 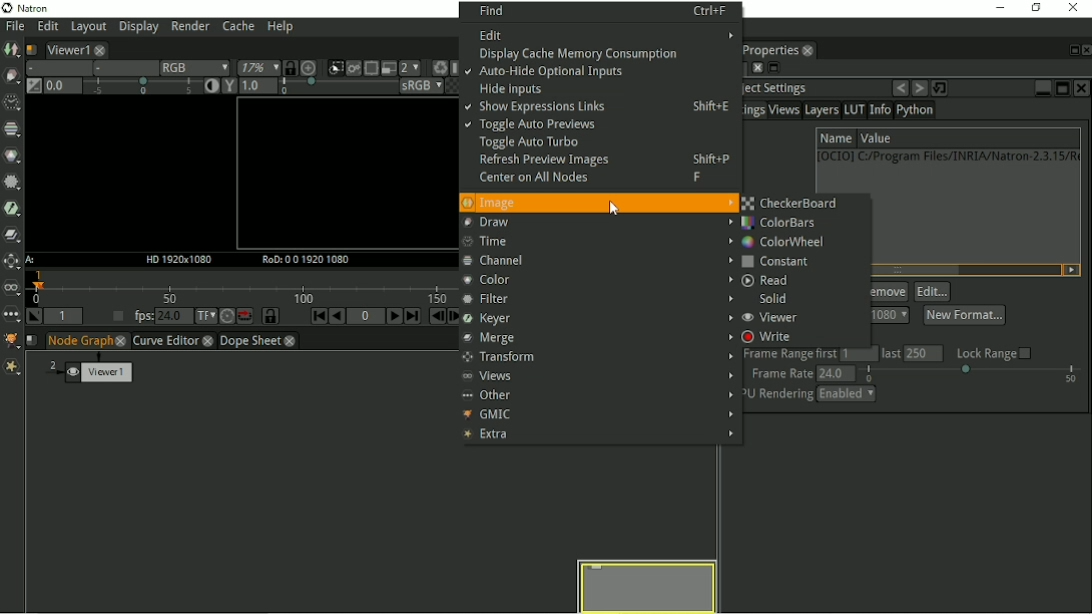 I want to click on Gamma correction, so click(x=303, y=87).